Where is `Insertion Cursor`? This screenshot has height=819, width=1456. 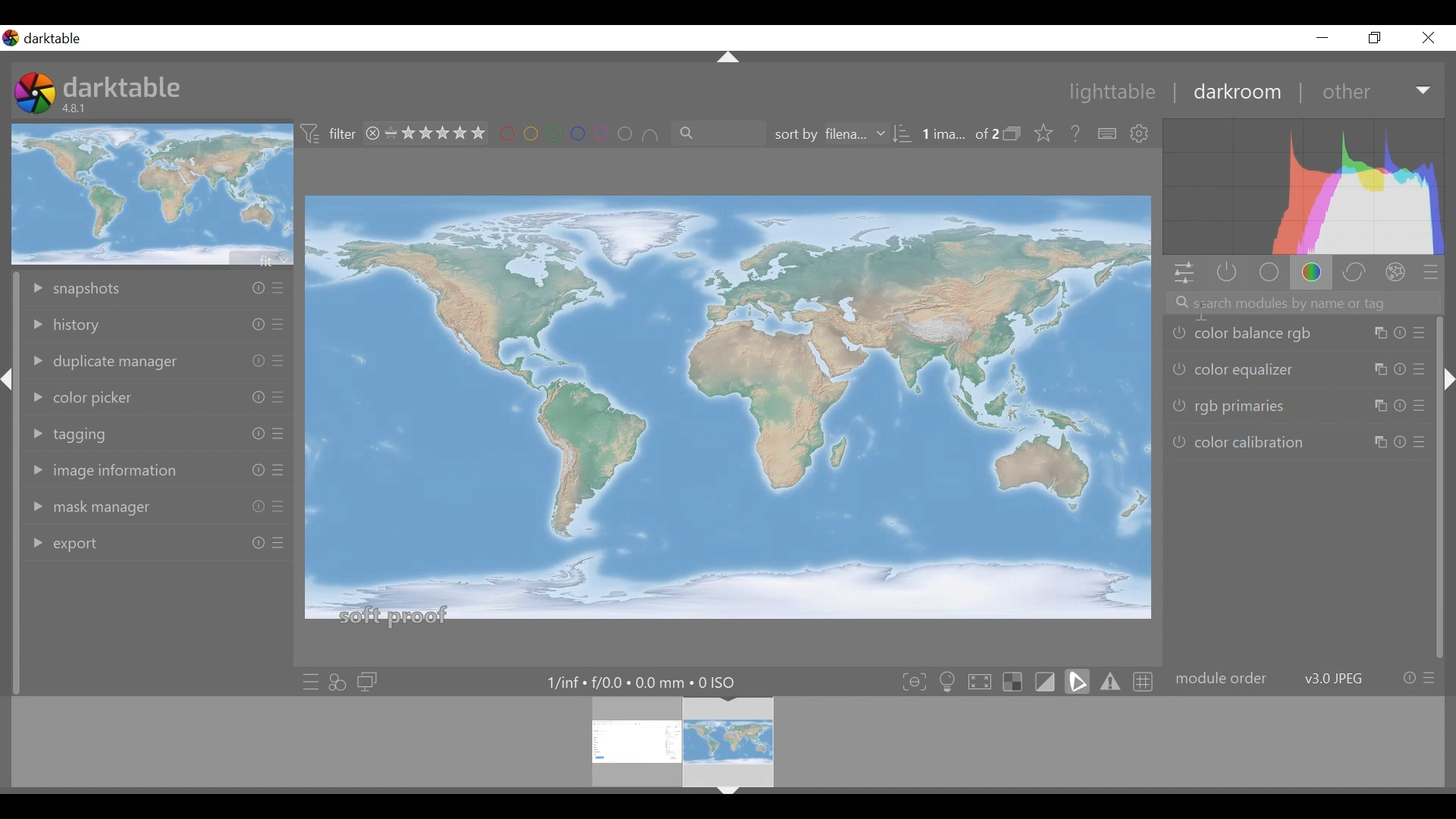
Insertion Cursor is located at coordinates (1200, 311).